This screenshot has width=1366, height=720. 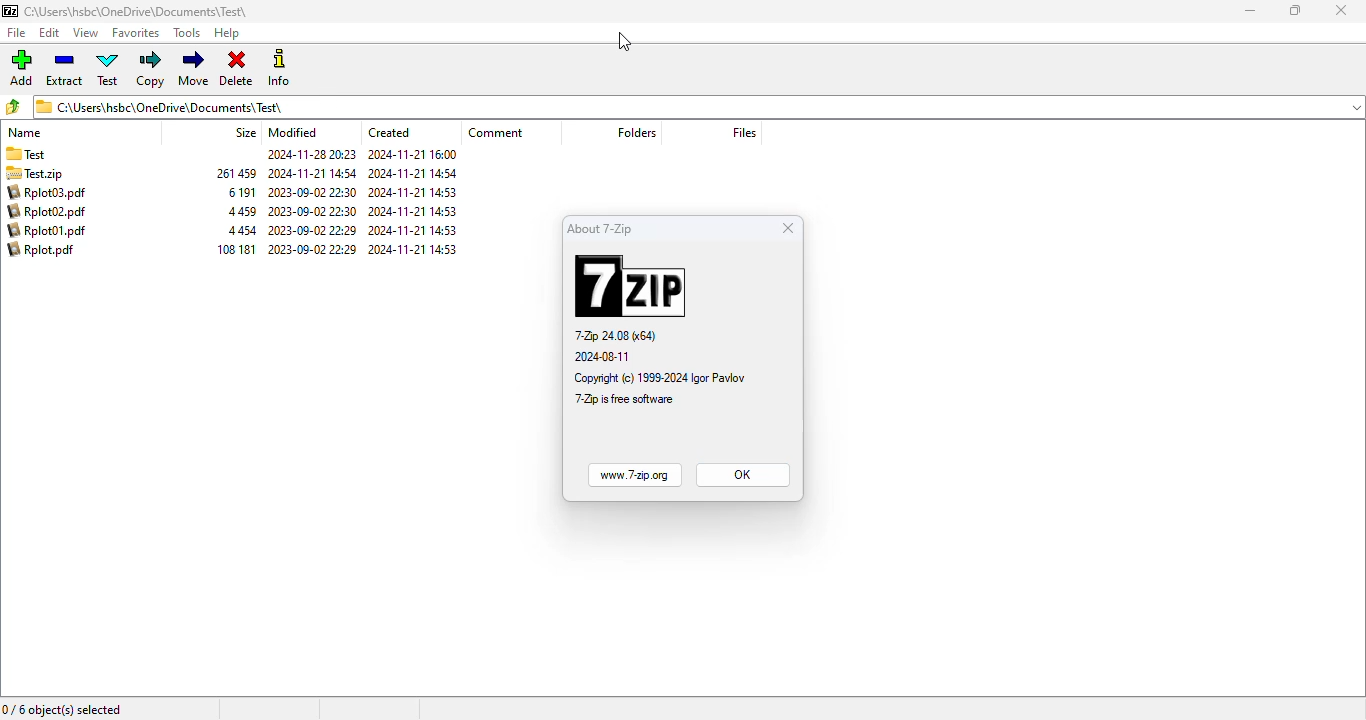 I want to click on 2023-09-02 22:29, so click(x=312, y=250).